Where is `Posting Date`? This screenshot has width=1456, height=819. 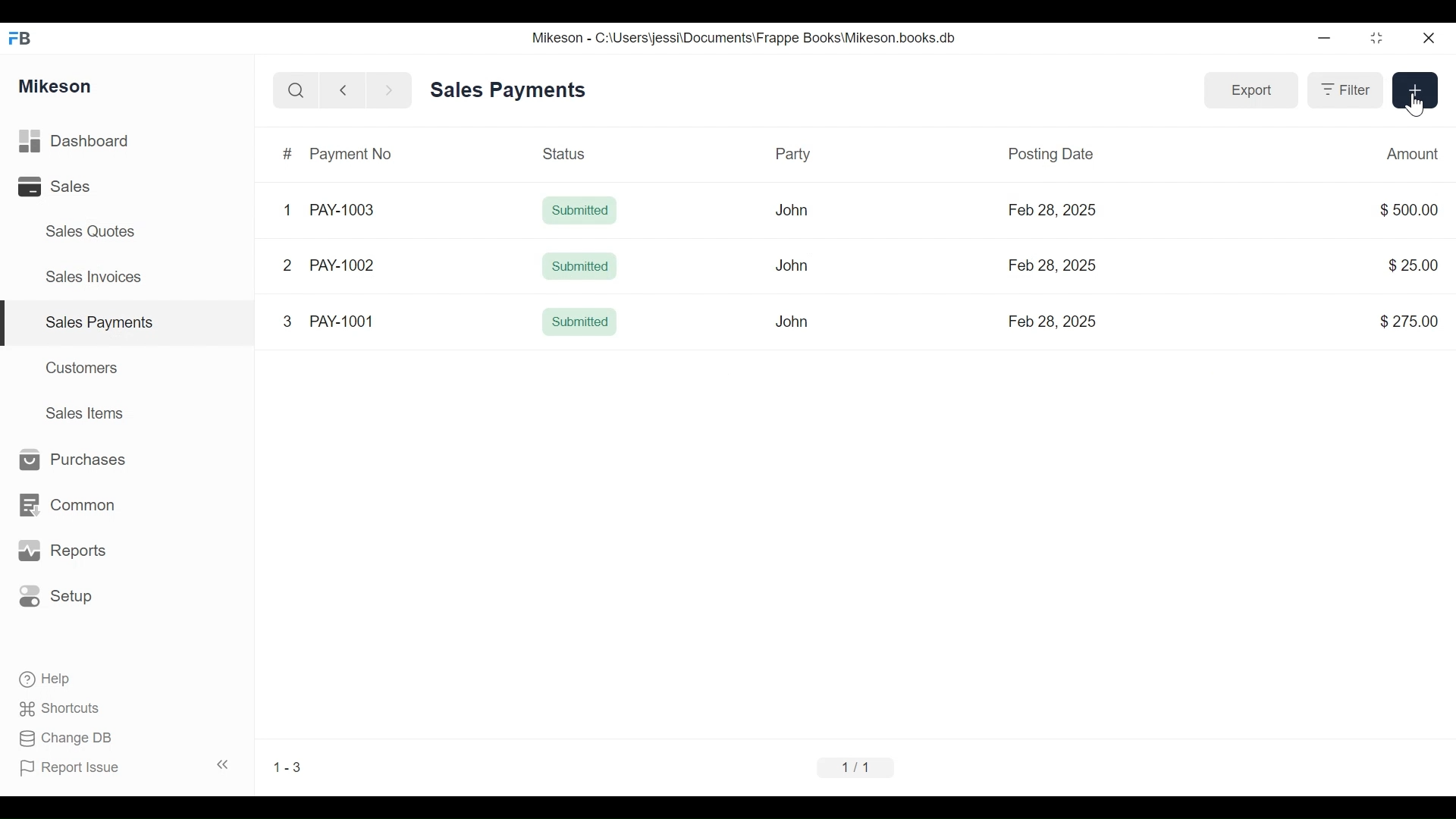 Posting Date is located at coordinates (1049, 153).